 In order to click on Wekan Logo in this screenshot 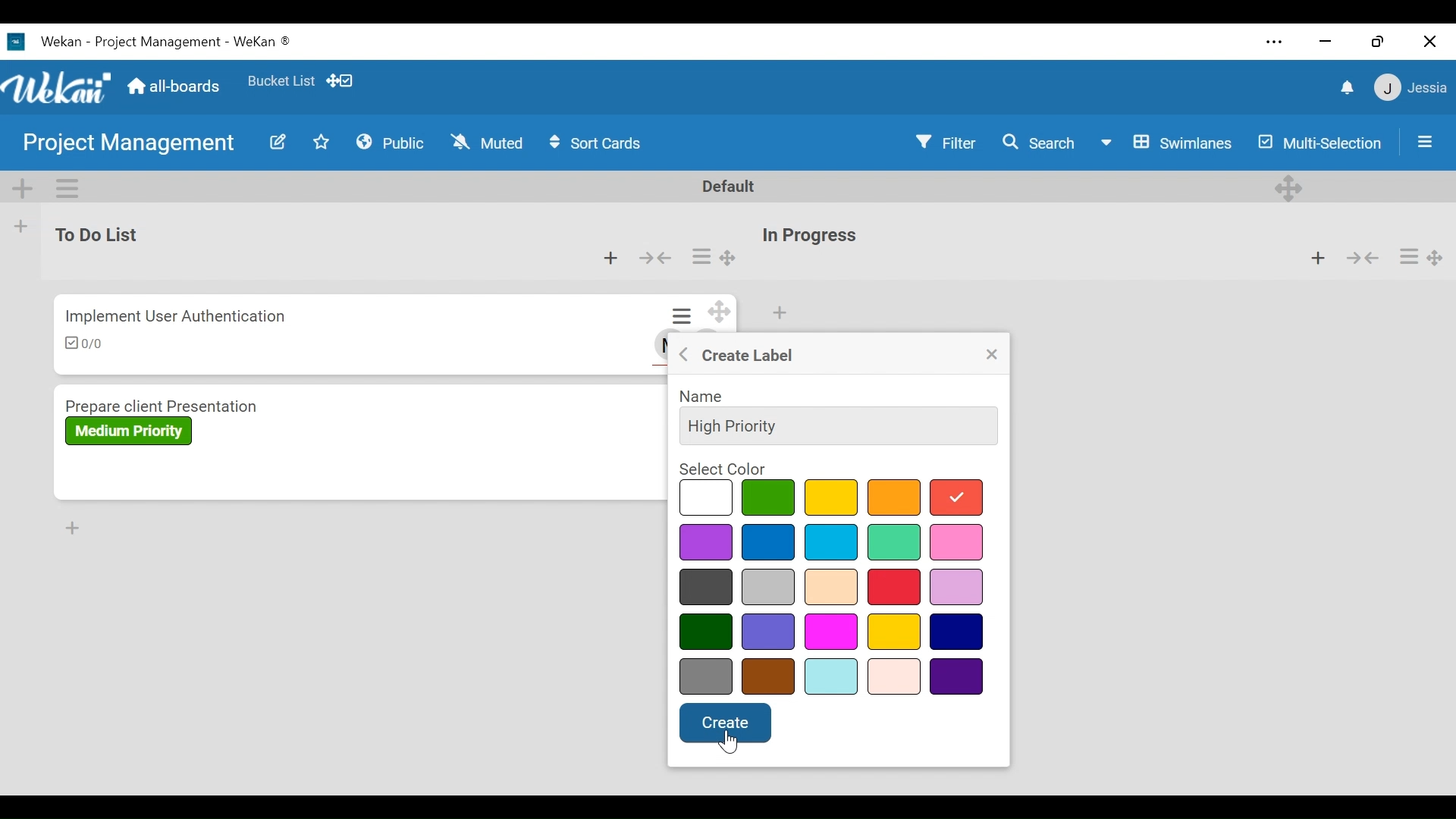, I will do `click(56, 84)`.